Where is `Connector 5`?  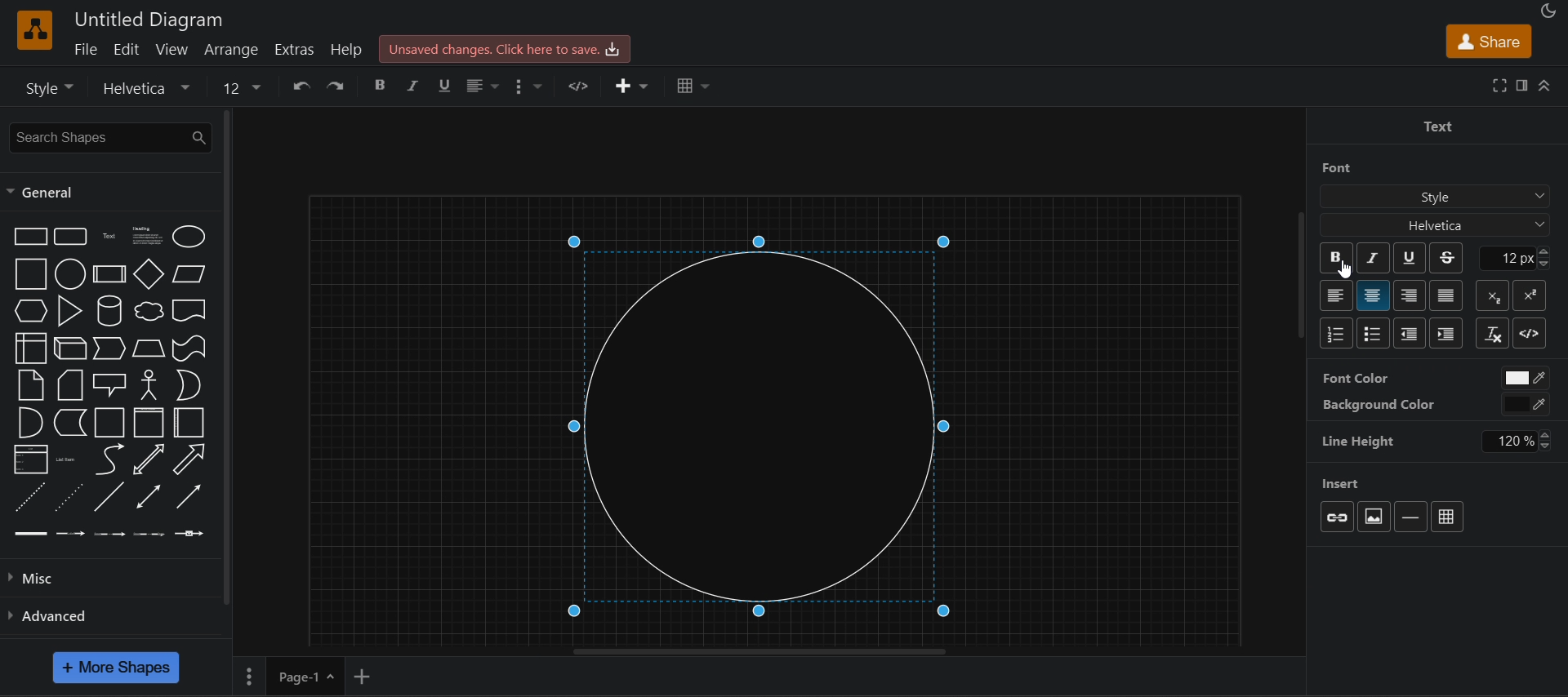
Connector 5 is located at coordinates (189, 534).